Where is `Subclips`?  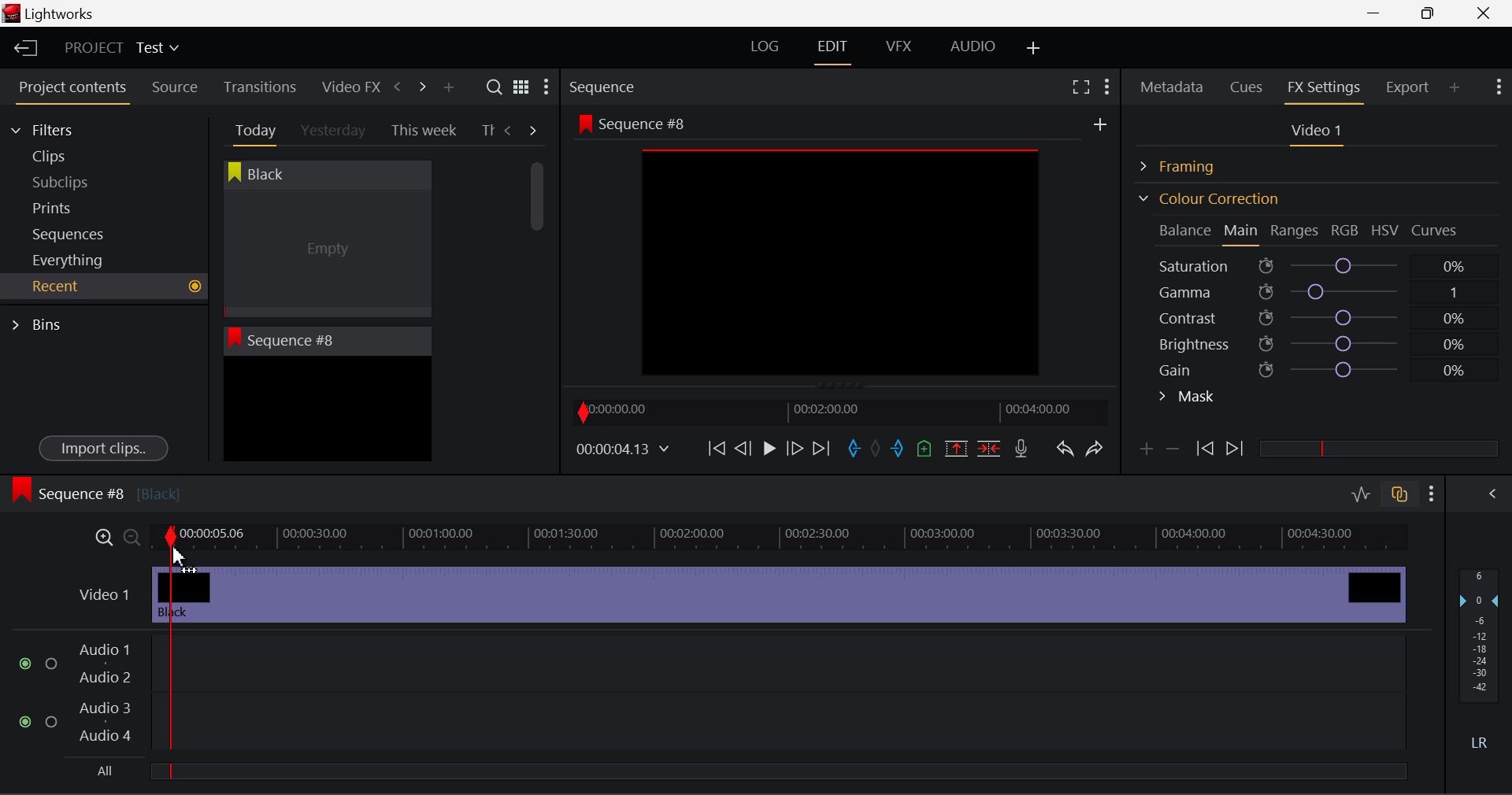 Subclips is located at coordinates (76, 182).